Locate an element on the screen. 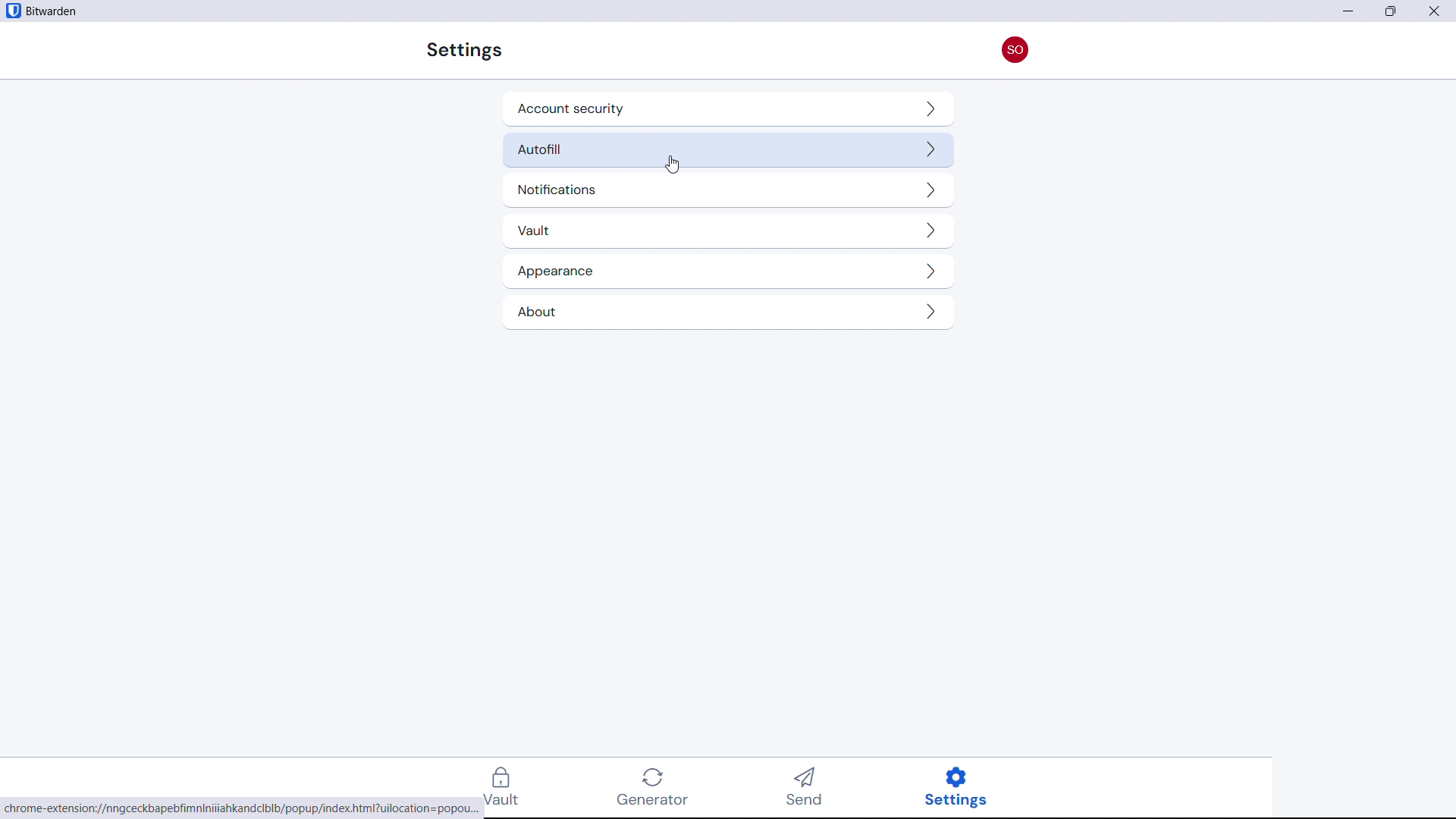 The image size is (1456, 819). send  is located at coordinates (810, 789).